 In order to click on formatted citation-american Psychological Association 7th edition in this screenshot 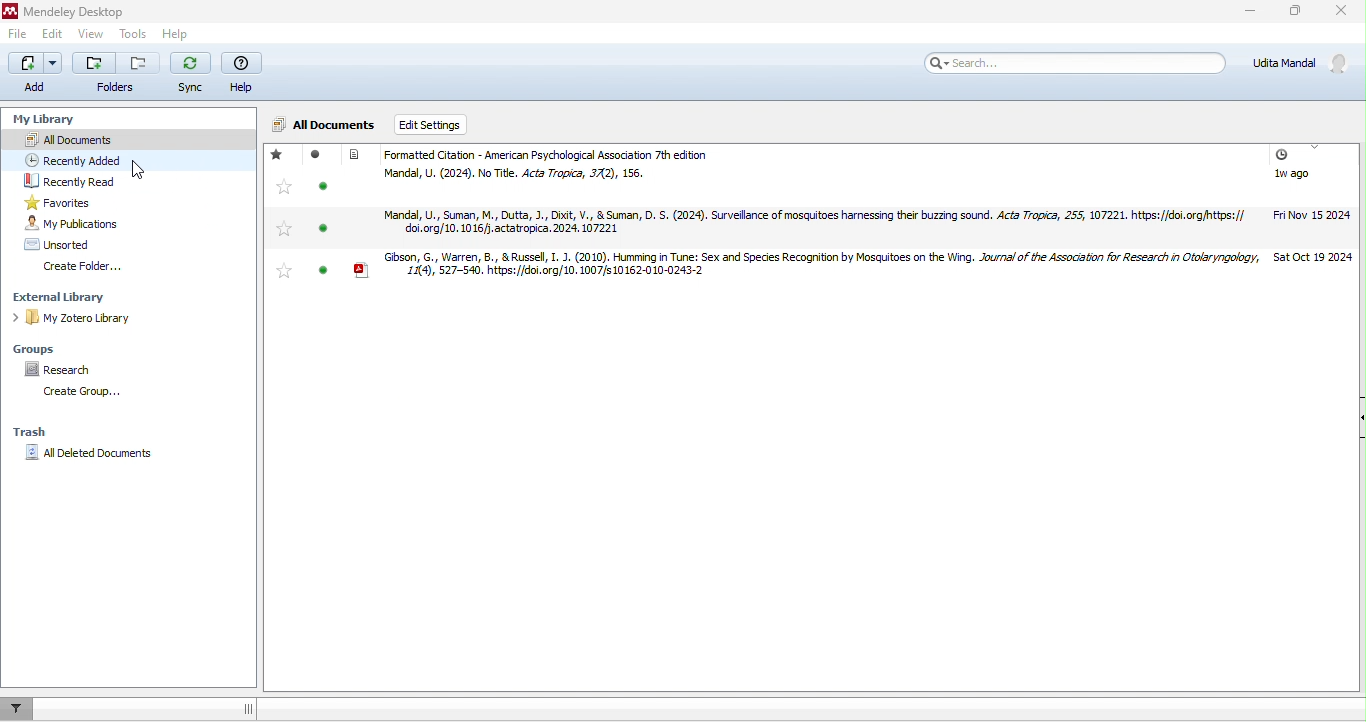, I will do `click(579, 155)`.